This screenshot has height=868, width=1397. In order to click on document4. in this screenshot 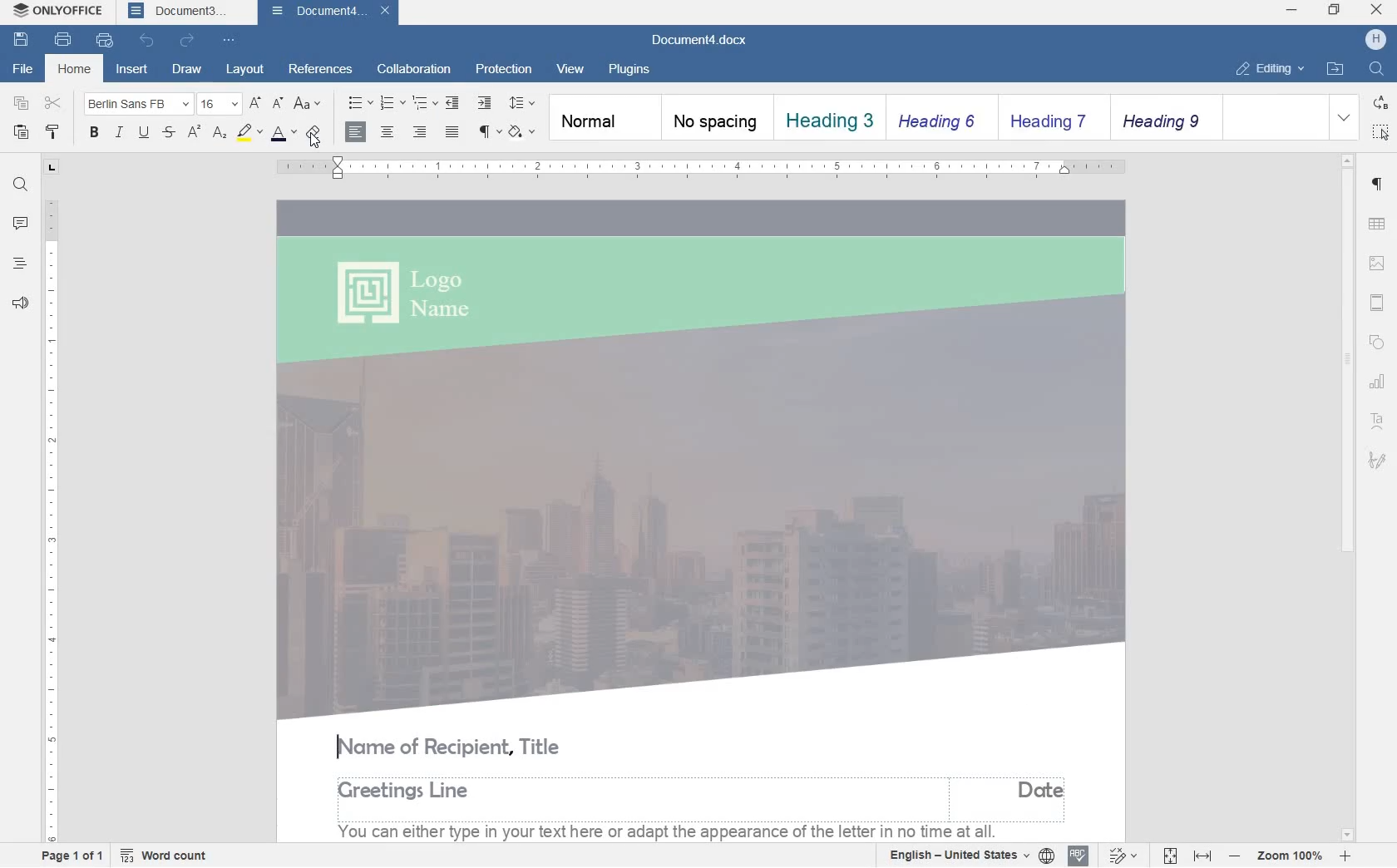, I will do `click(321, 12)`.